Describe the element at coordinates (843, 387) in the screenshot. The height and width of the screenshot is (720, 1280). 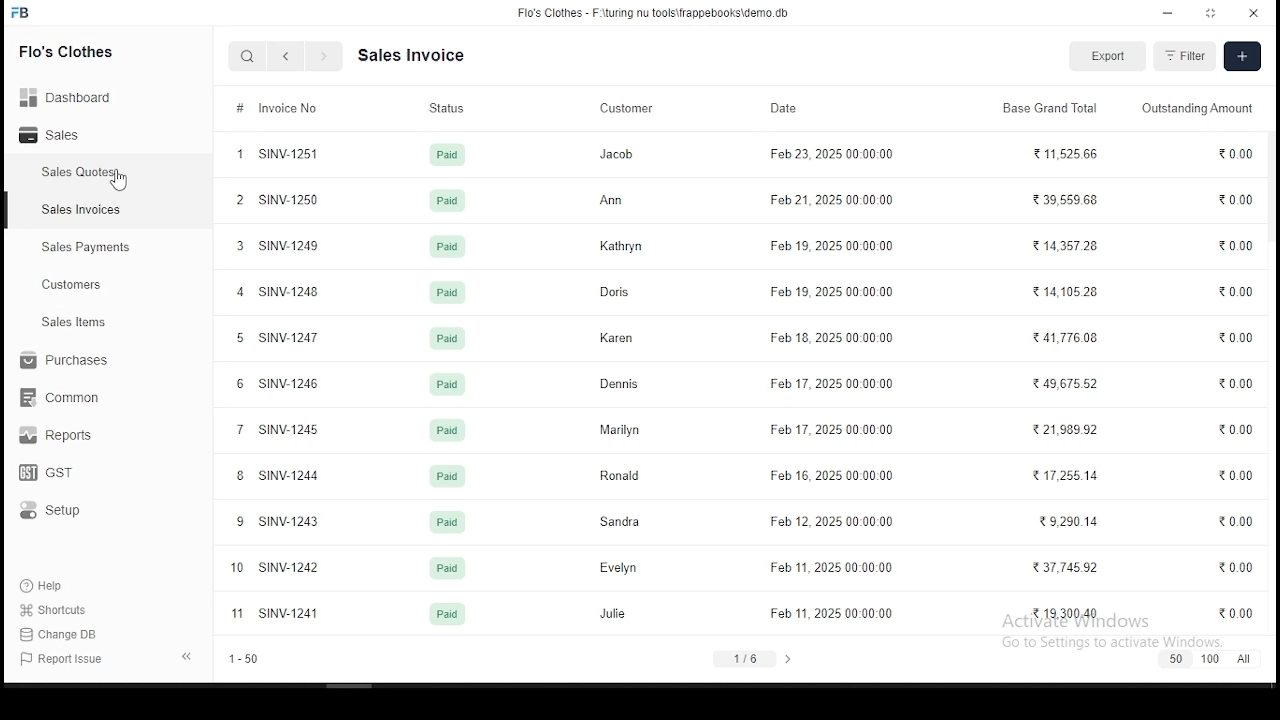
I see `Feb 17, 2025 00.00.00` at that location.